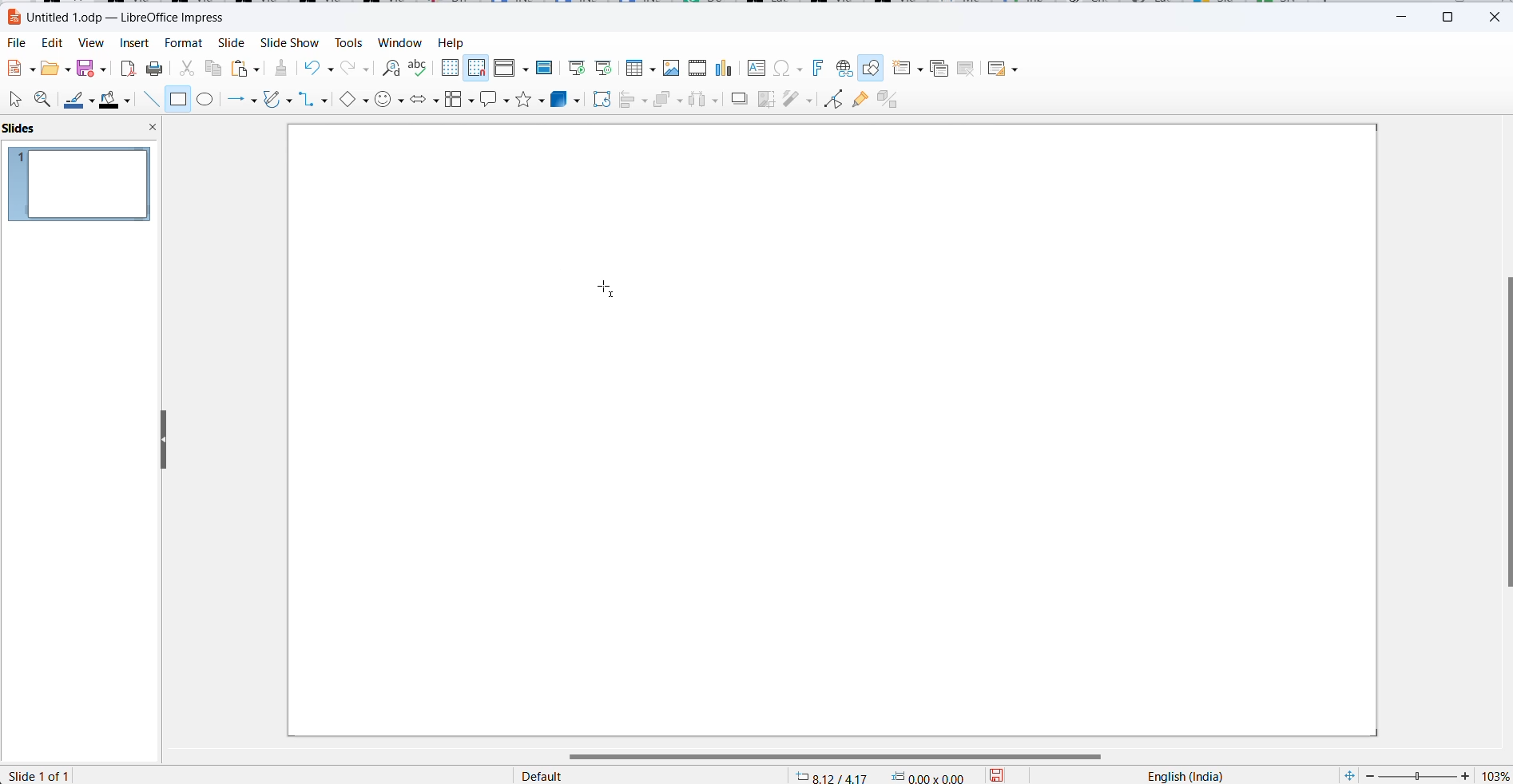 The height and width of the screenshot is (784, 1513). I want to click on Insert hyperlink, so click(842, 69).